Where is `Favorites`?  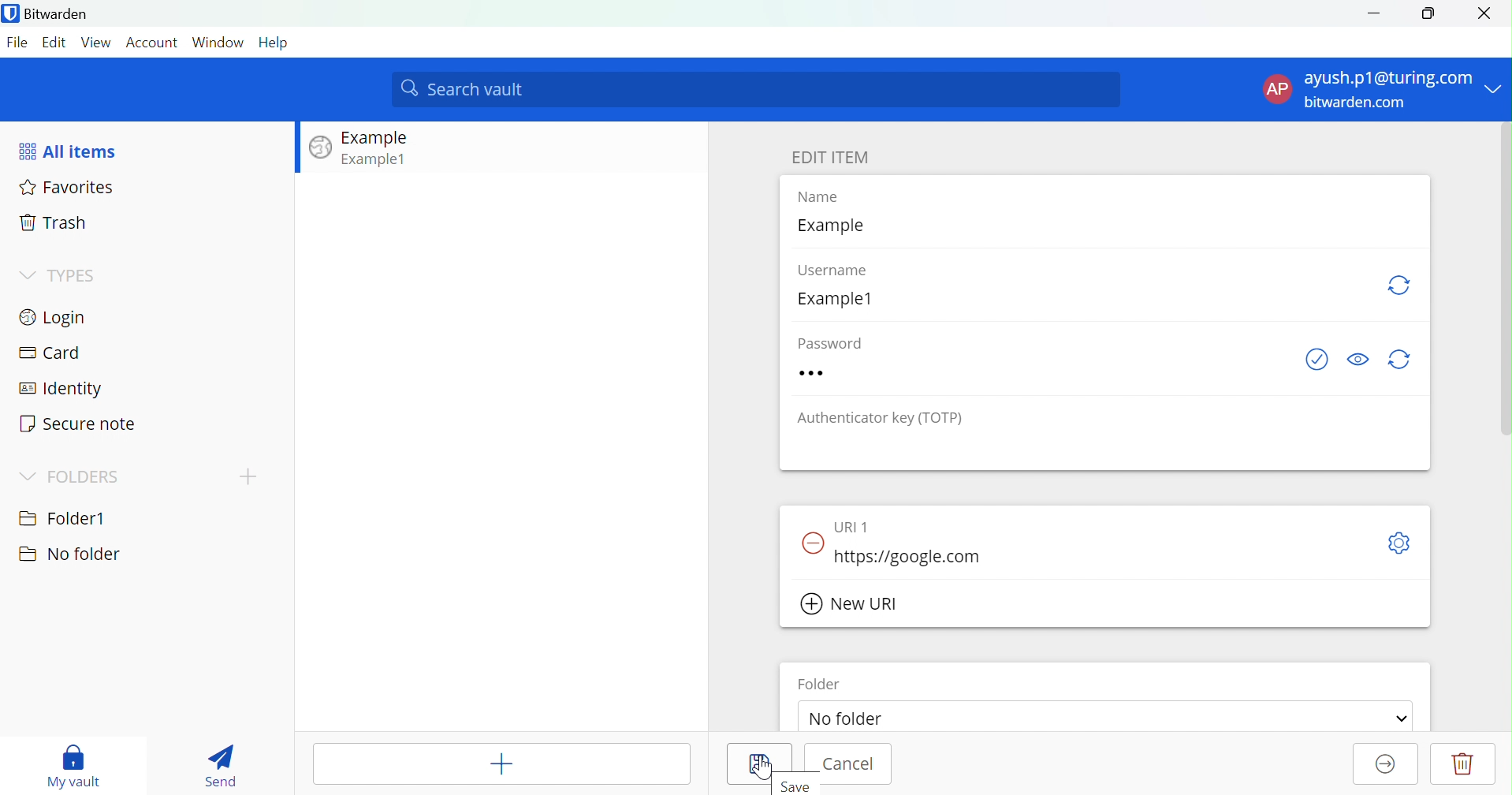
Favorites is located at coordinates (69, 189).